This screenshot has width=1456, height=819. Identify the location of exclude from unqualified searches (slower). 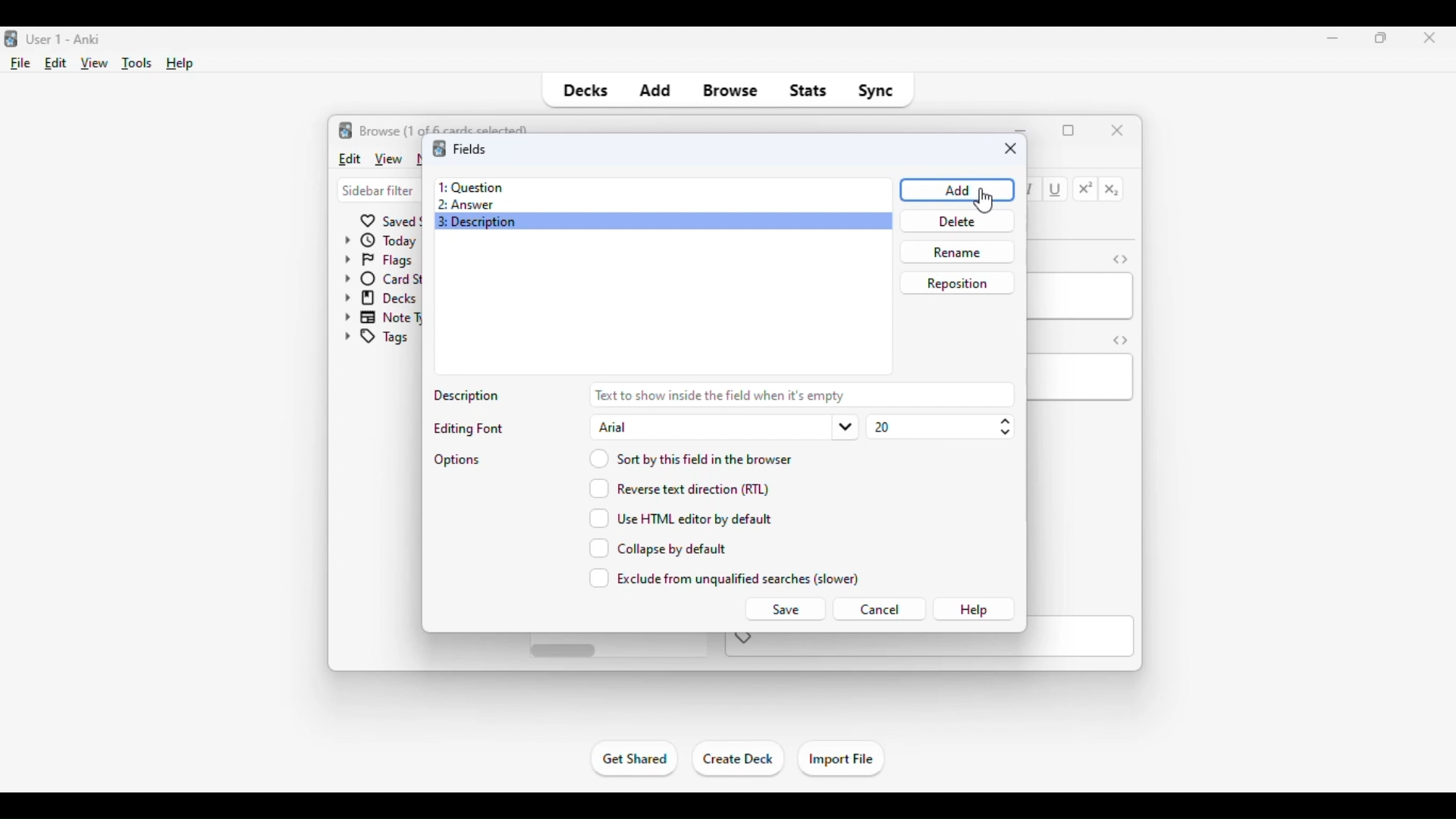
(725, 578).